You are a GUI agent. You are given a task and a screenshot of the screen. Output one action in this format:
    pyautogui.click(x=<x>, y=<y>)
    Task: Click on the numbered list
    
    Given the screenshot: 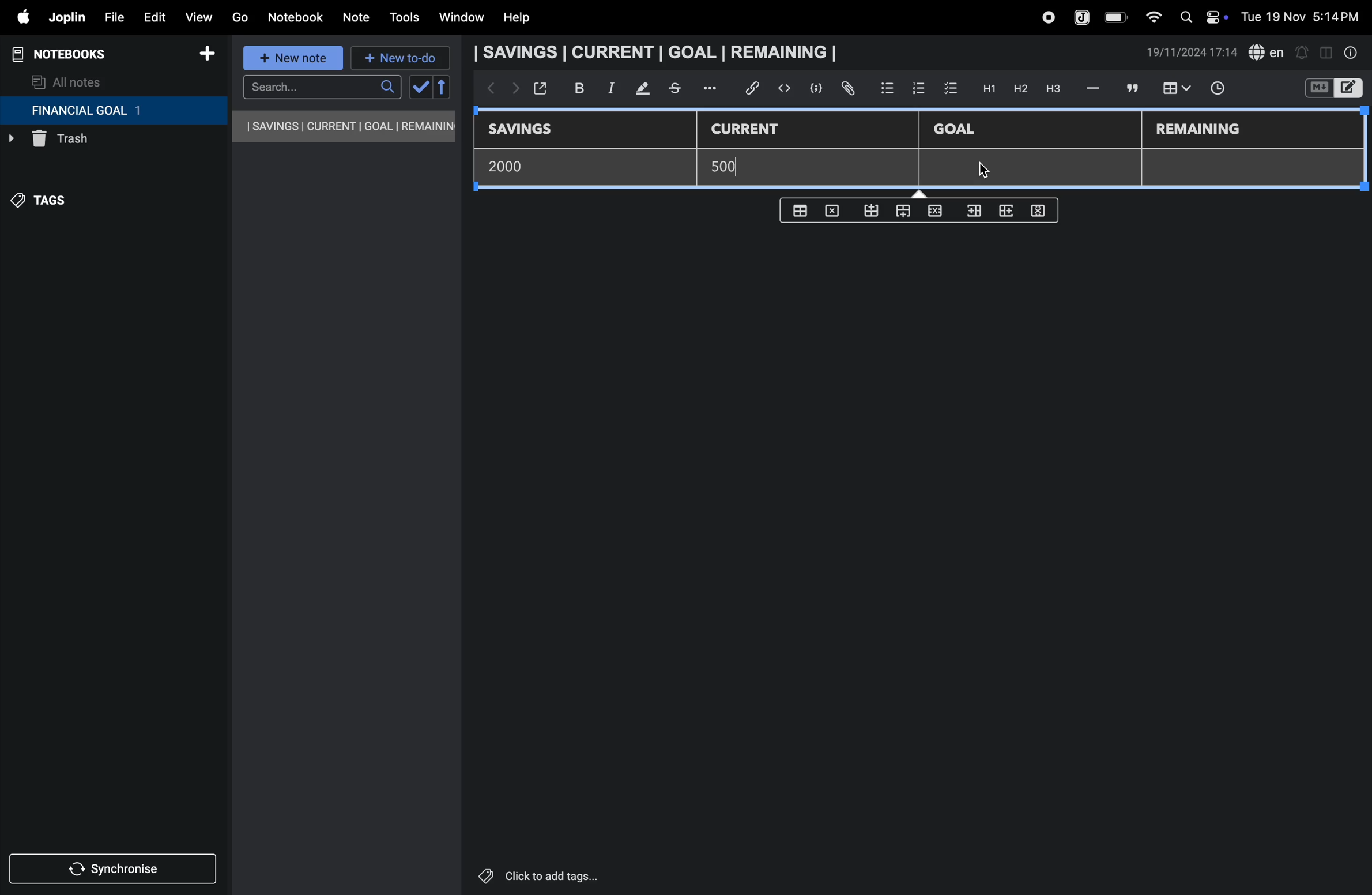 What is the action you would take?
    pyautogui.click(x=918, y=88)
    